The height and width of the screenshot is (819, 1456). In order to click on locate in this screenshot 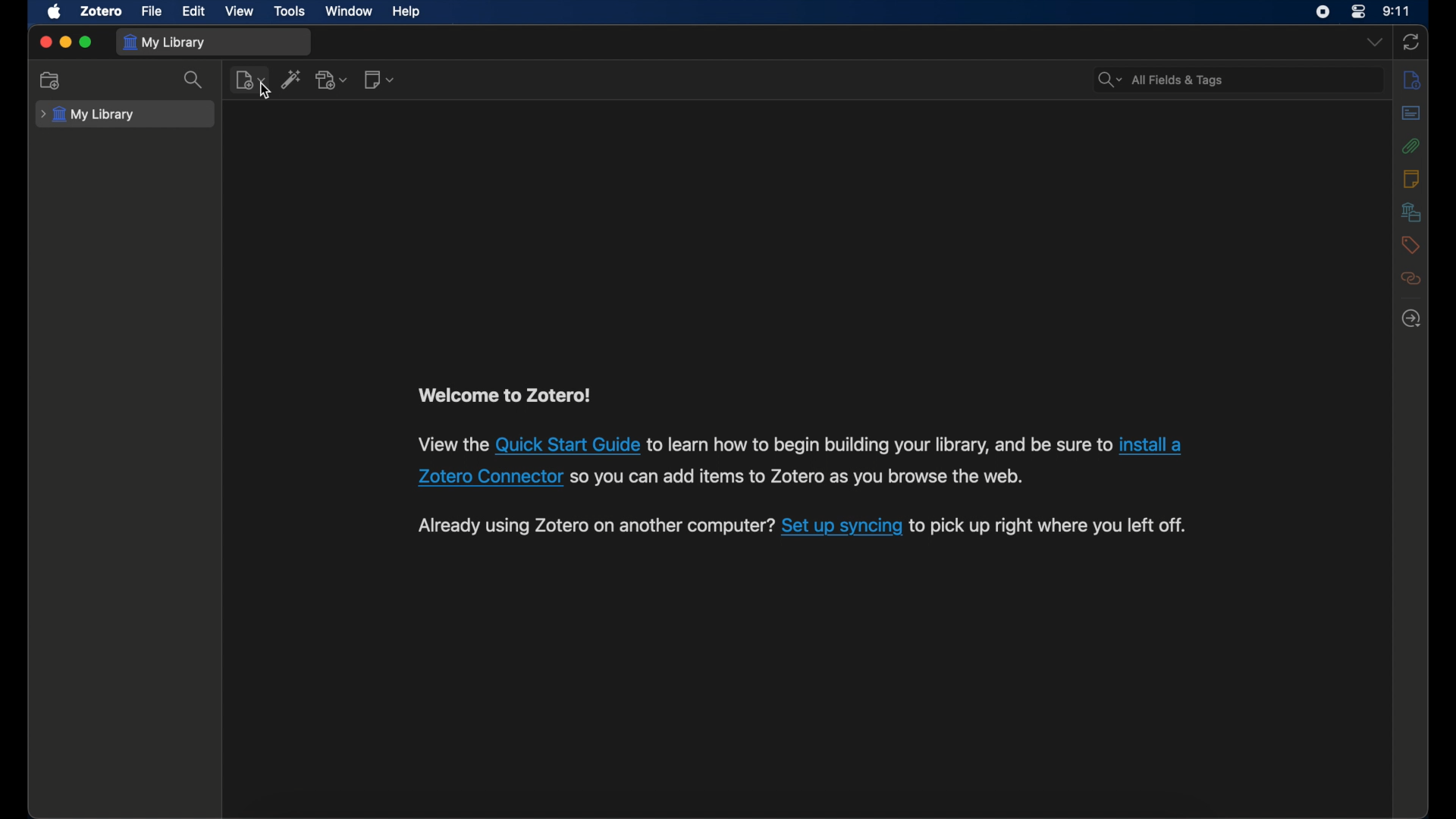, I will do `click(1411, 318)`.